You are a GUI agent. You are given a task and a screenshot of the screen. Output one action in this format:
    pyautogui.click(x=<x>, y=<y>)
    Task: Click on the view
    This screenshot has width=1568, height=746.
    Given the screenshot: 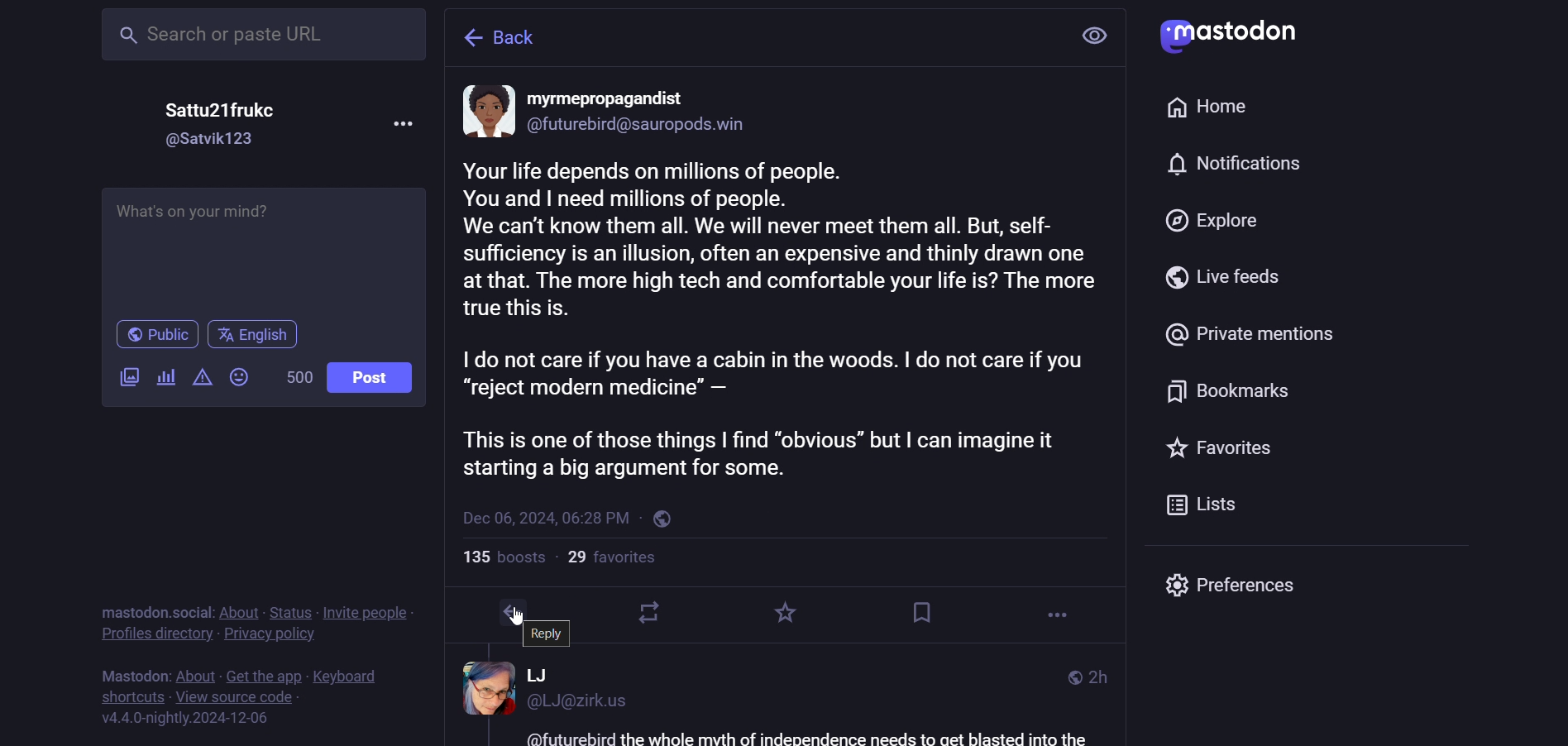 What is the action you would take?
    pyautogui.click(x=1099, y=36)
    